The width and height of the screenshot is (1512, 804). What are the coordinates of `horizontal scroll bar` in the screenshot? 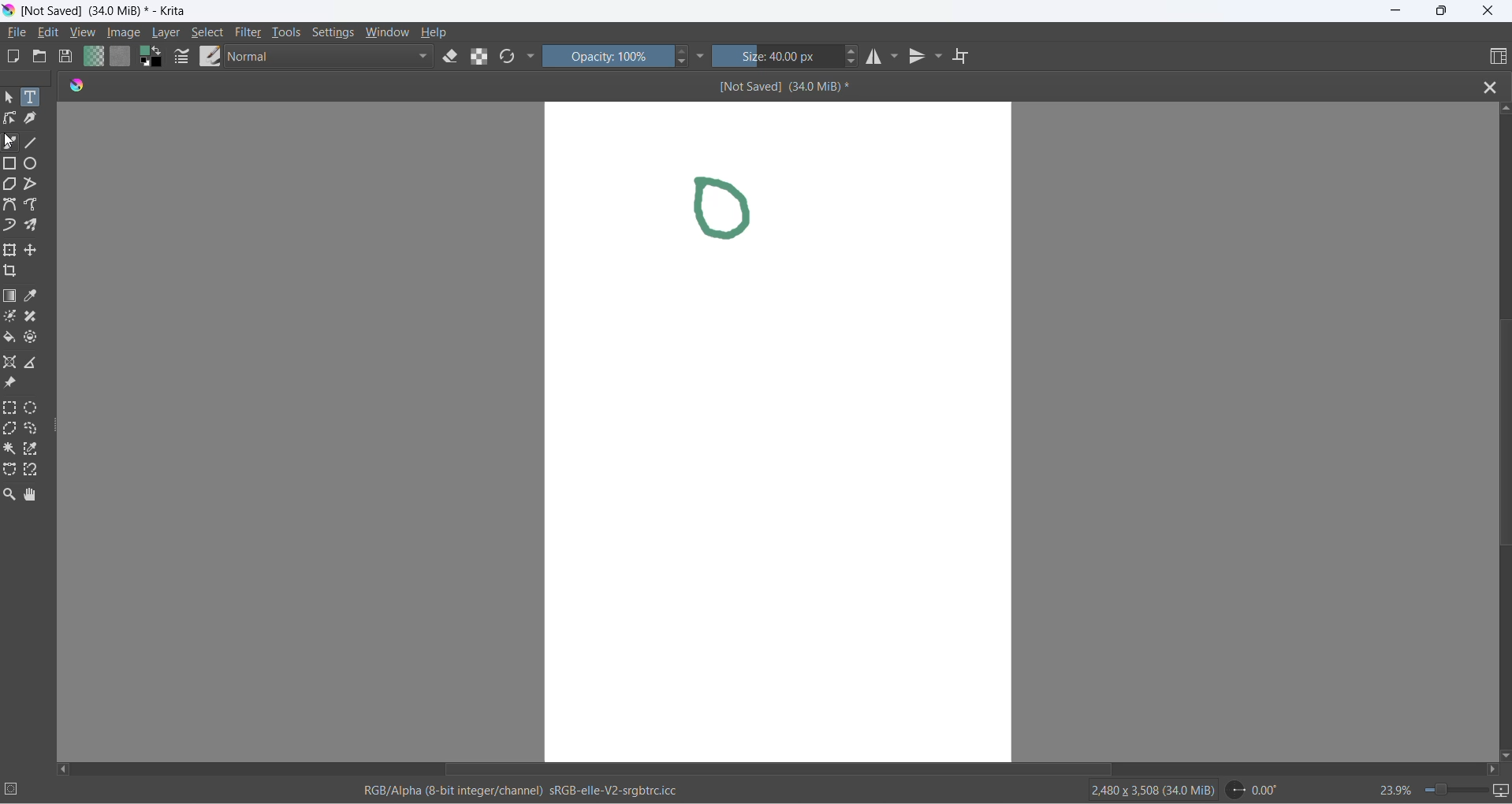 It's located at (784, 769).